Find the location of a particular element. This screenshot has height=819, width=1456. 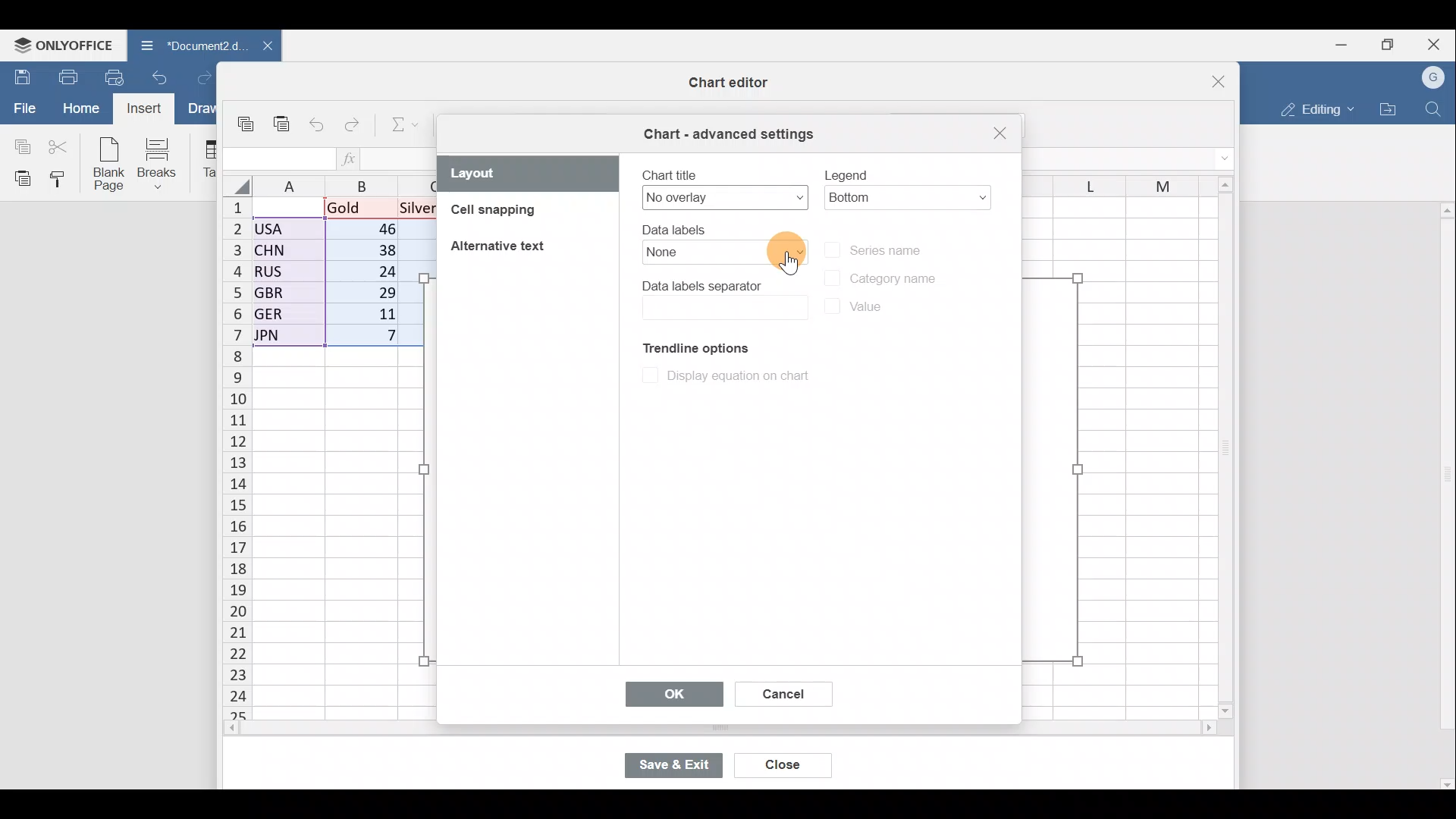

Close is located at coordinates (1204, 84).